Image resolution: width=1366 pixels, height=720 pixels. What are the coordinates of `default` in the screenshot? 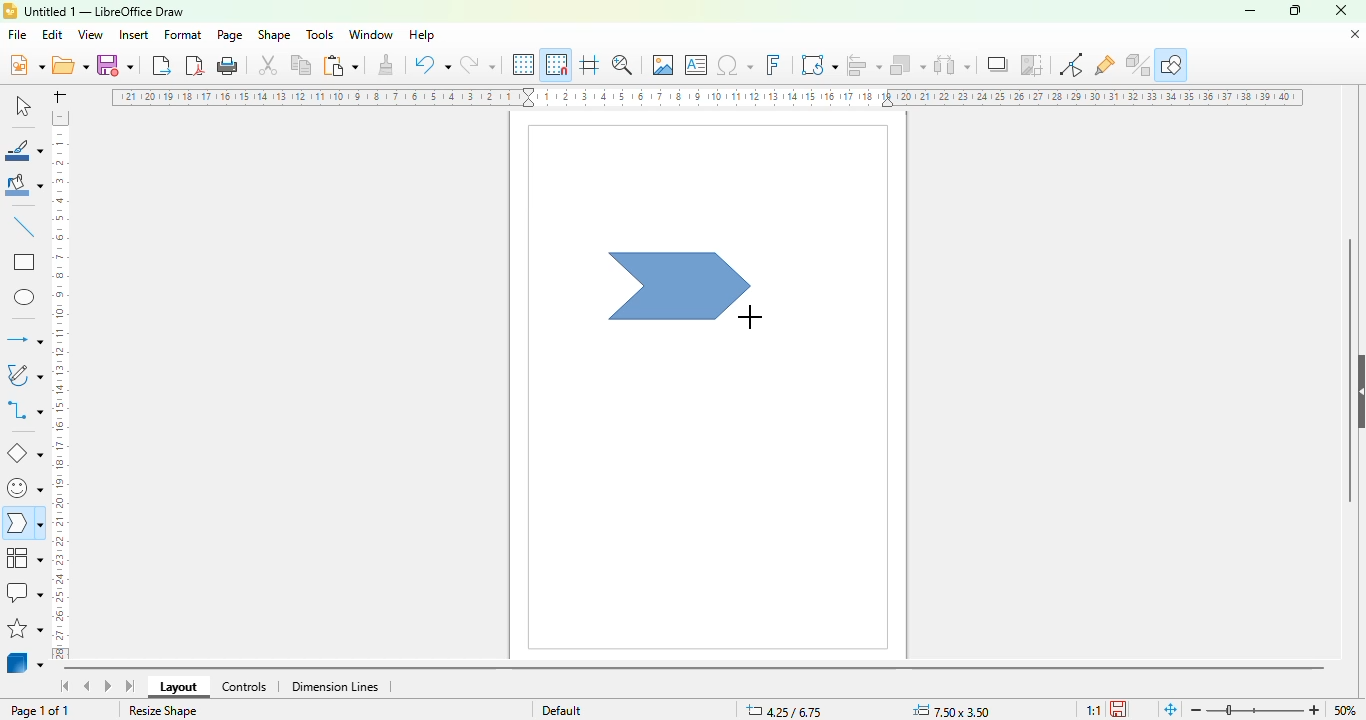 It's located at (562, 710).